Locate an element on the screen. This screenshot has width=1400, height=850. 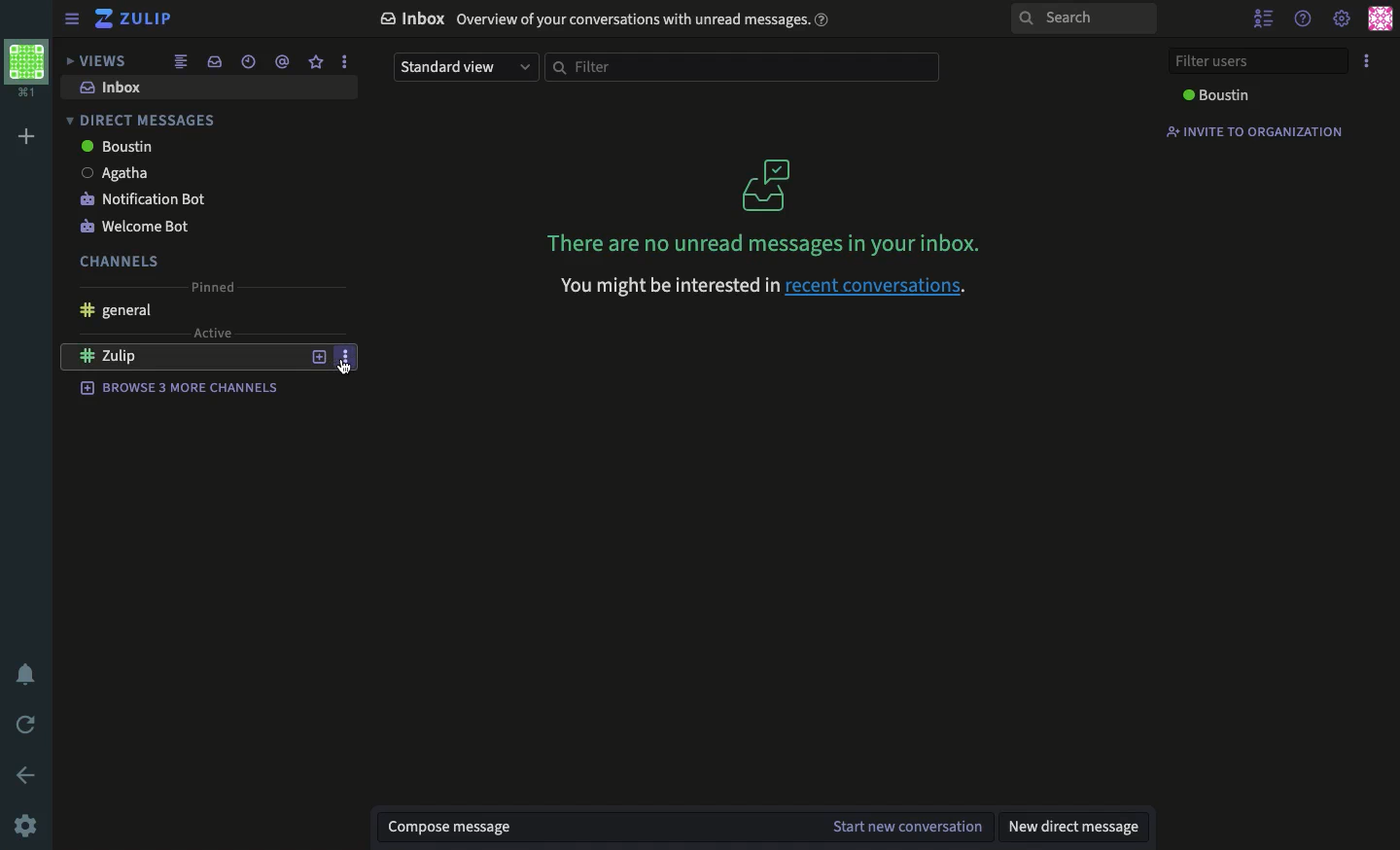
views is located at coordinates (96, 61).